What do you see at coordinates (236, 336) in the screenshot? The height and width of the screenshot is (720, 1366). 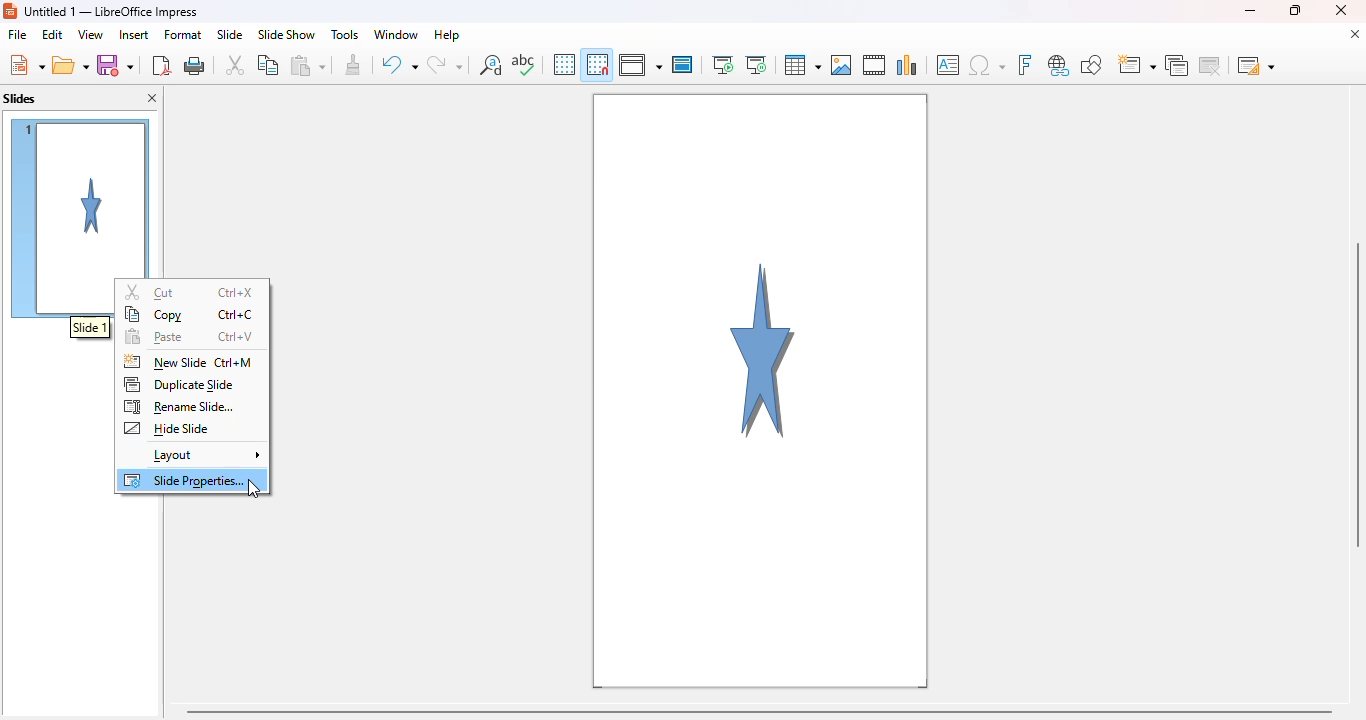 I see `shortcut for paste "Ctrl+V"` at bounding box center [236, 336].